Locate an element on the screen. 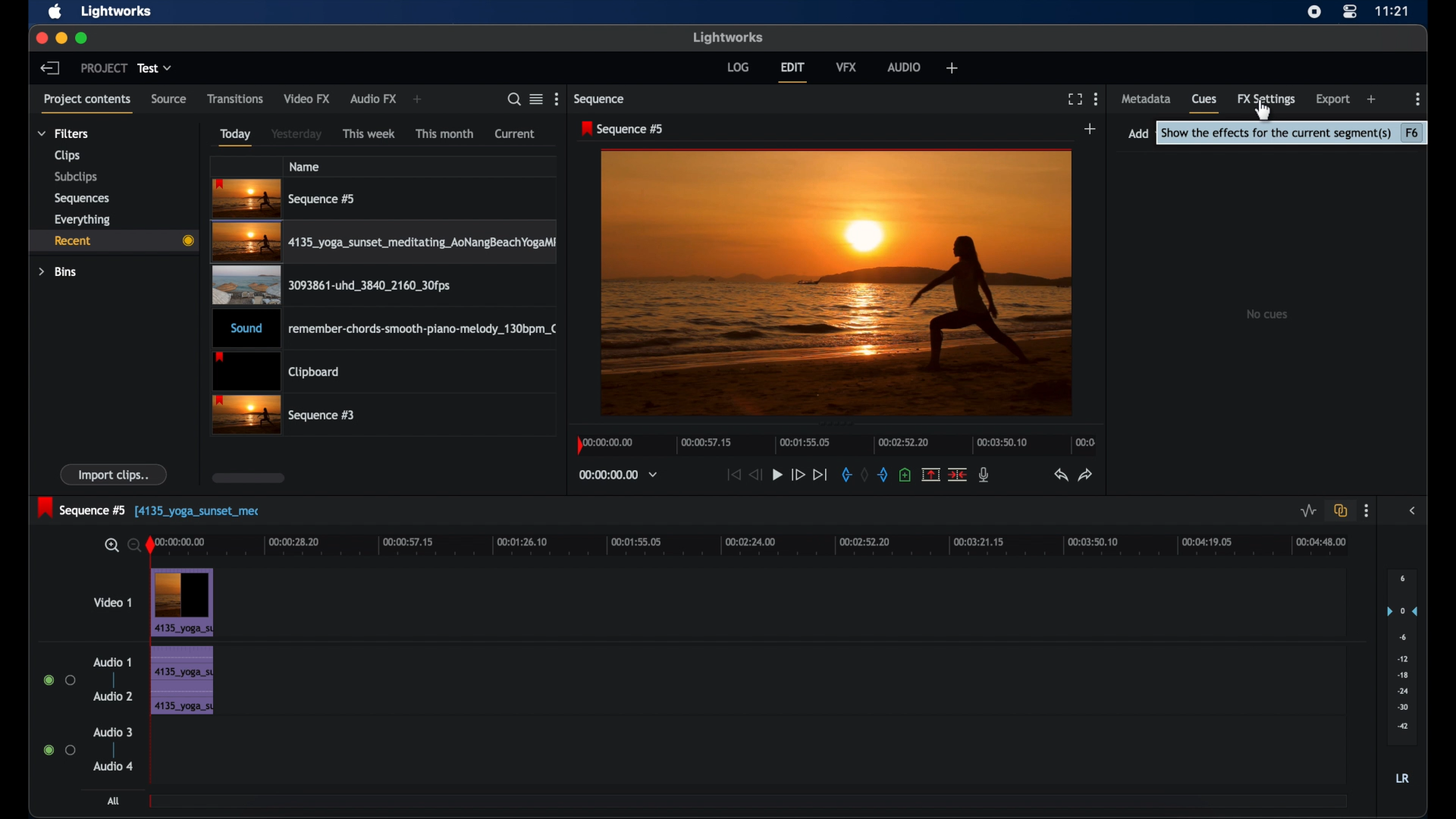 Image resolution: width=1456 pixels, height=819 pixels. filters dropdown is located at coordinates (67, 134).